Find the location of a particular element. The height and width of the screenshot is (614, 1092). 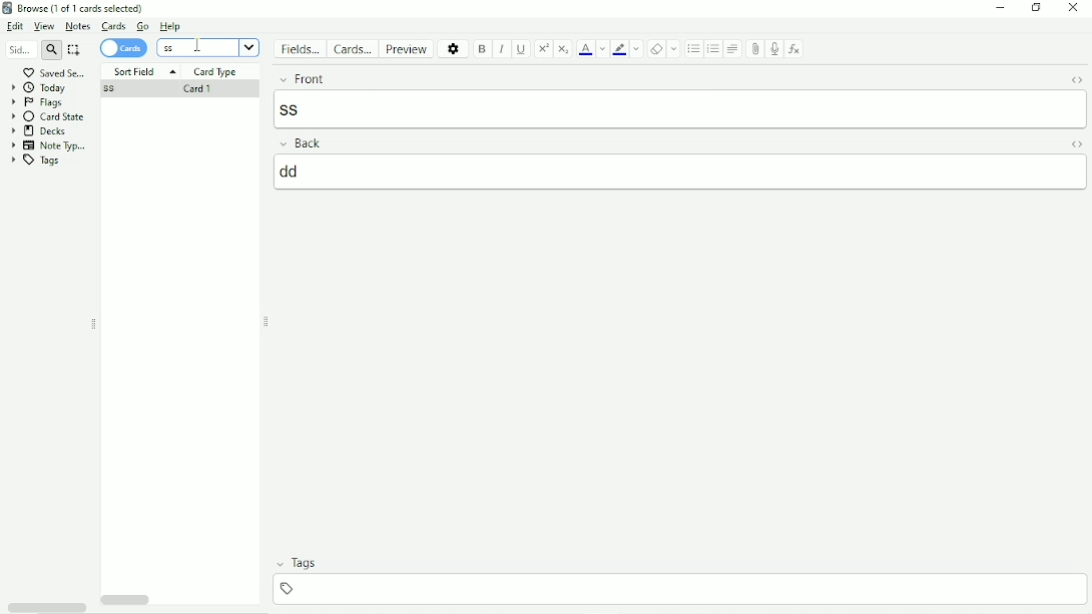

Cursor is located at coordinates (197, 45).